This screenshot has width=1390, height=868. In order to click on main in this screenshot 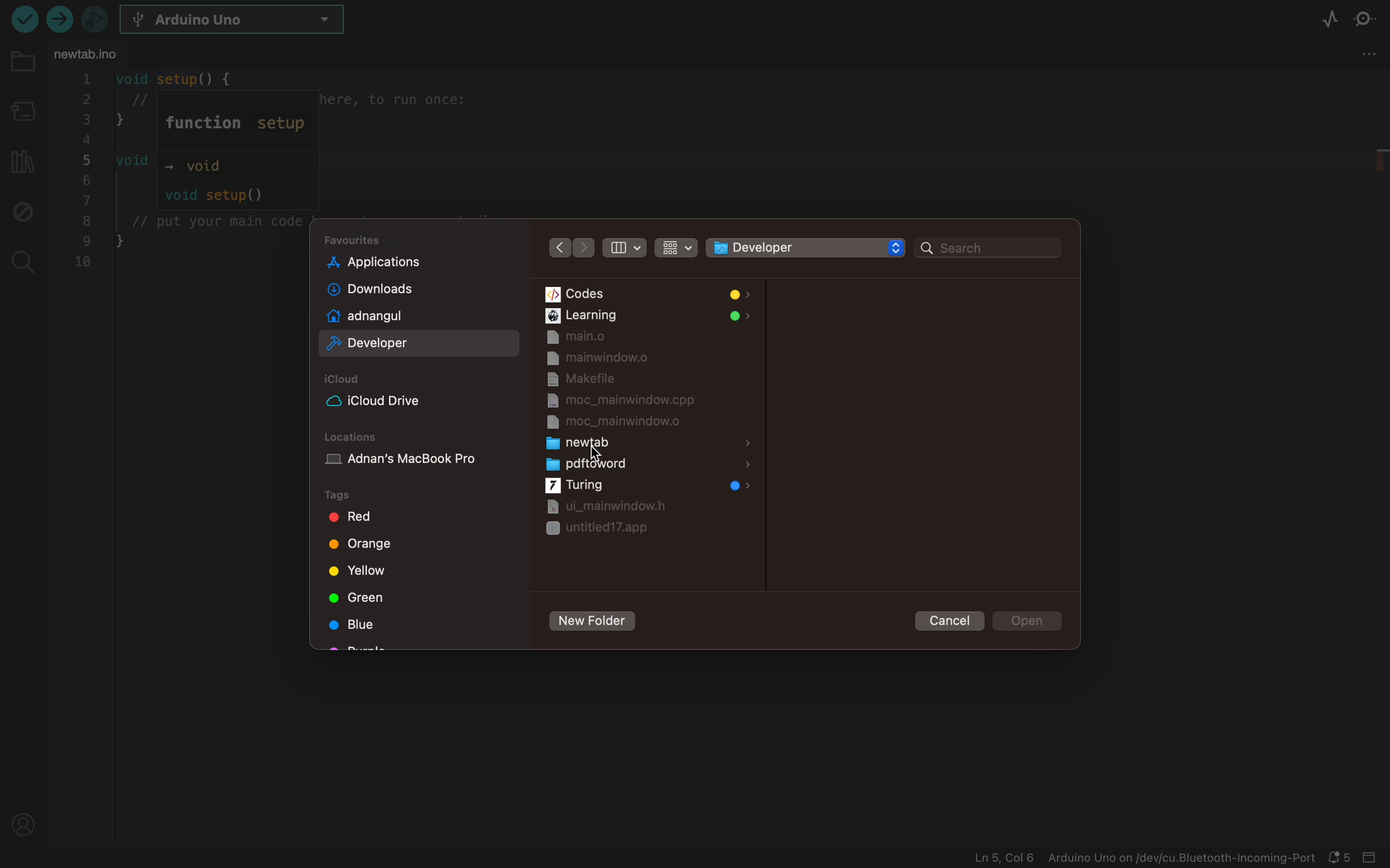, I will do `click(647, 338)`.